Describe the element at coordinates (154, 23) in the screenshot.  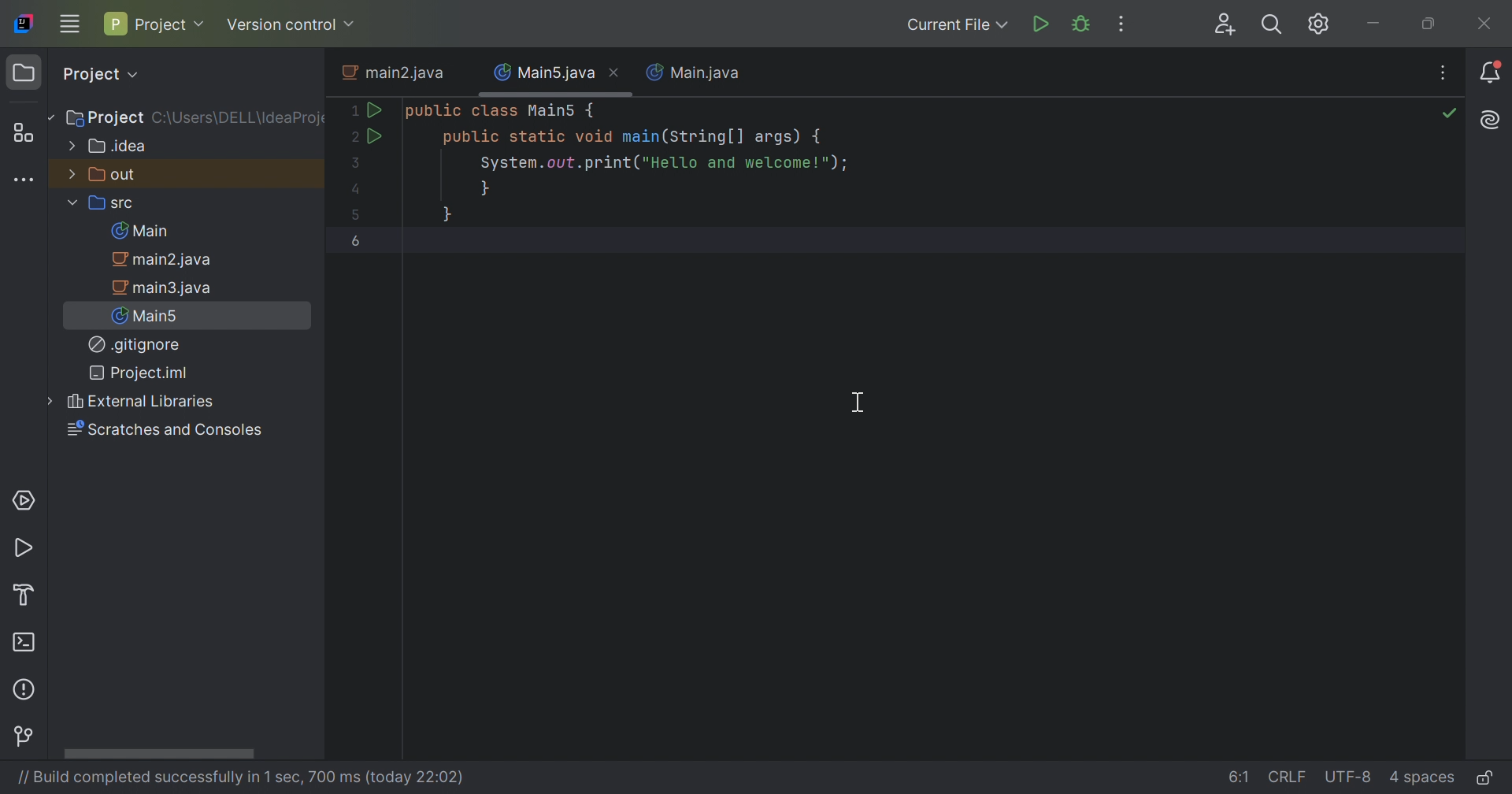
I see `Project` at that location.